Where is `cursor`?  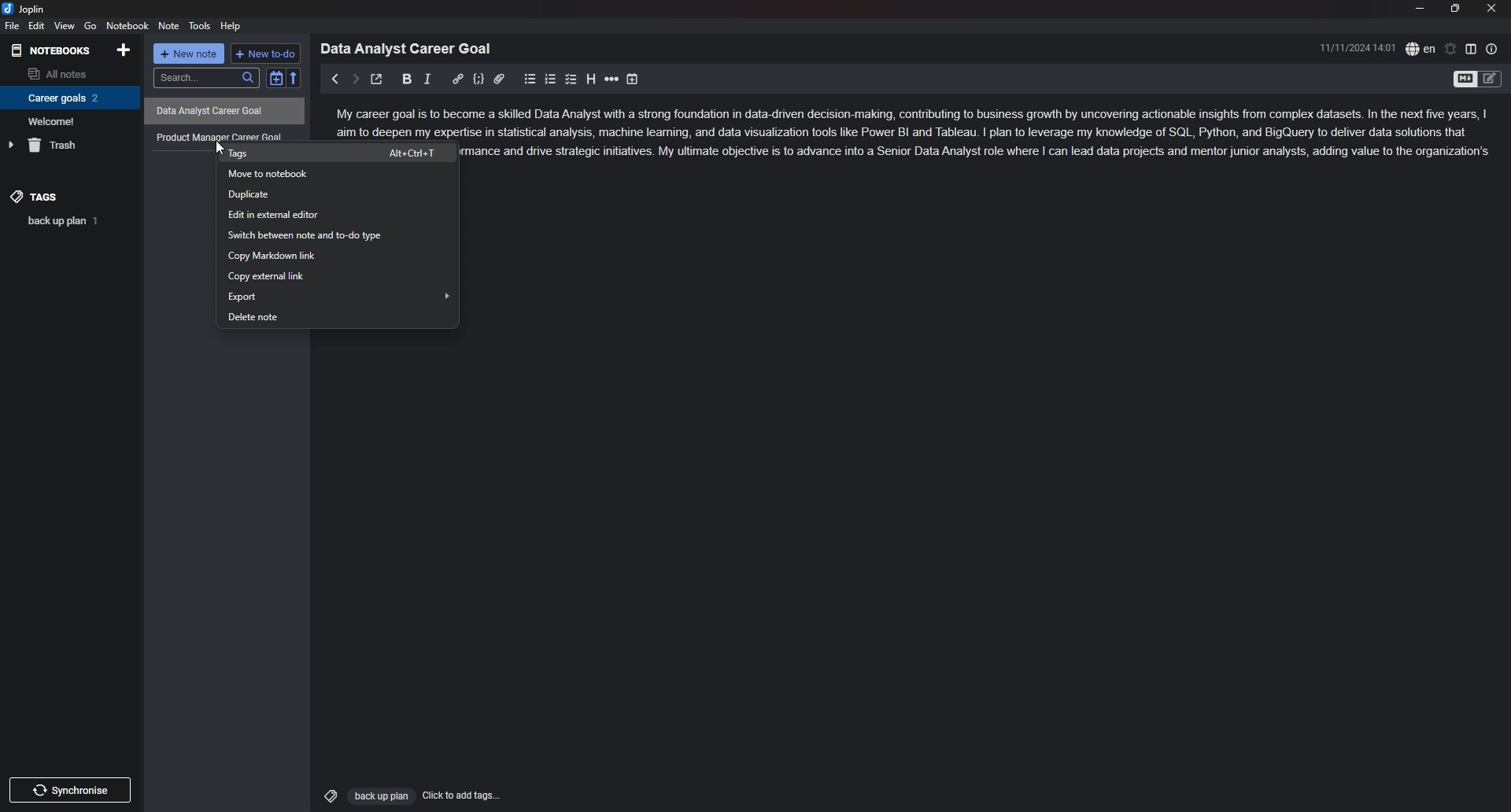 cursor is located at coordinates (220, 148).